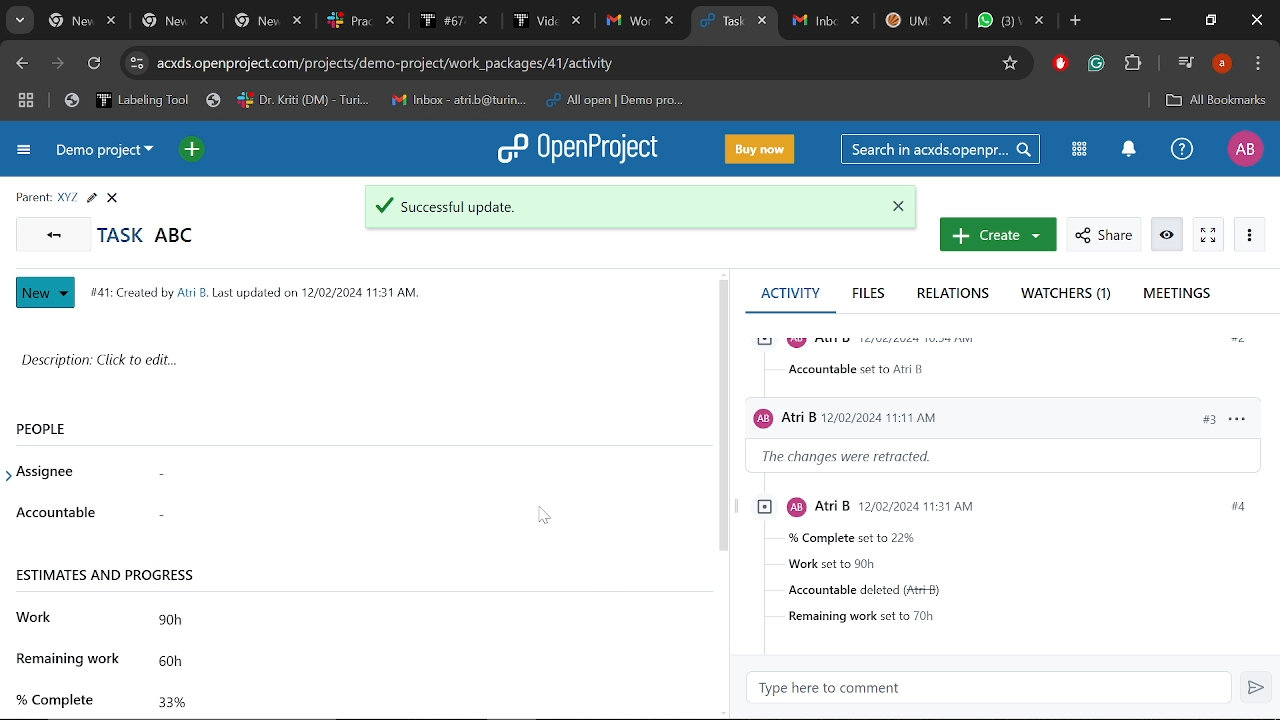 This screenshot has width=1280, height=720. Describe the element at coordinates (1258, 689) in the screenshot. I see `Send` at that location.